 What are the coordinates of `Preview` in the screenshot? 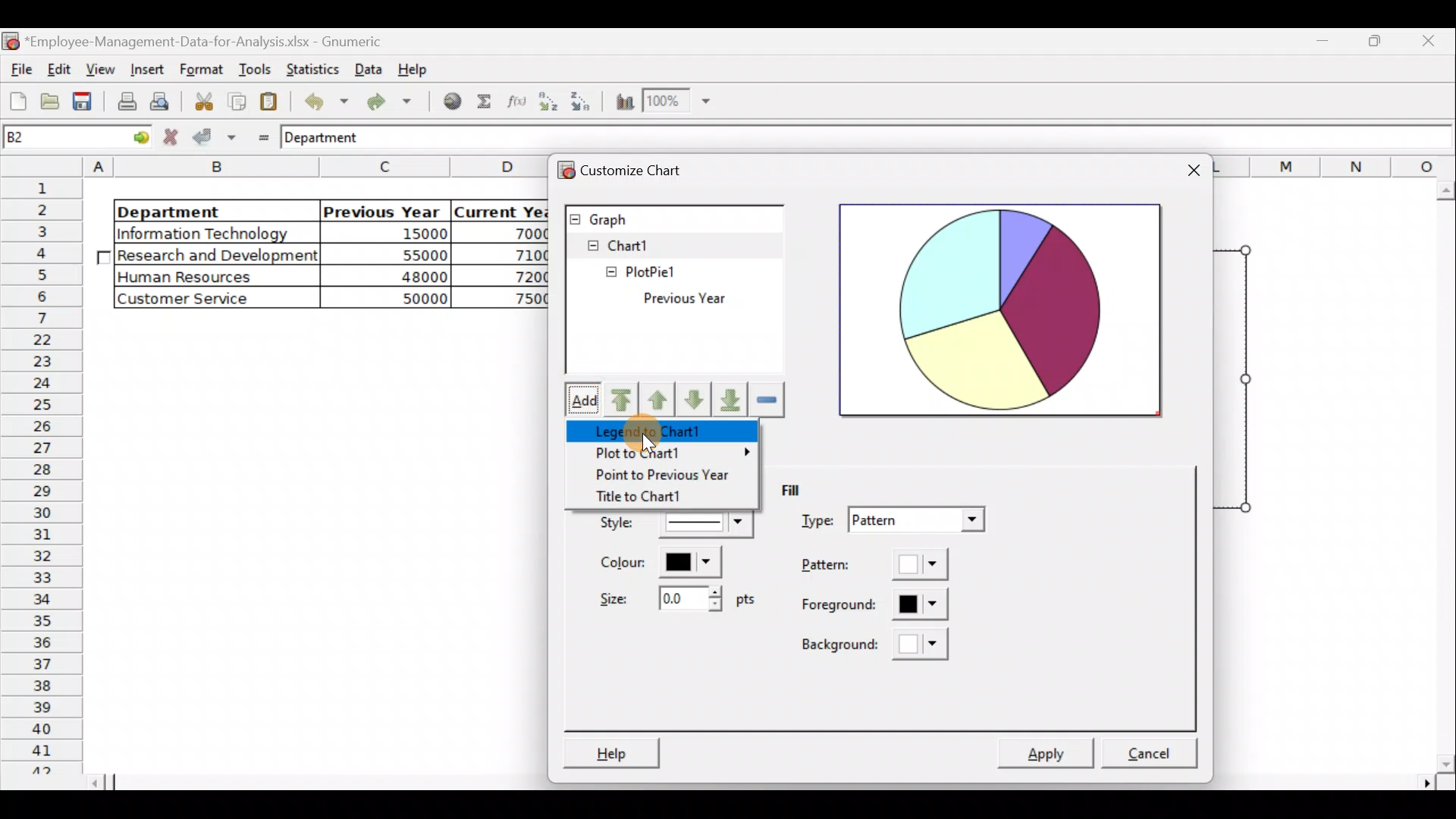 It's located at (1002, 309).